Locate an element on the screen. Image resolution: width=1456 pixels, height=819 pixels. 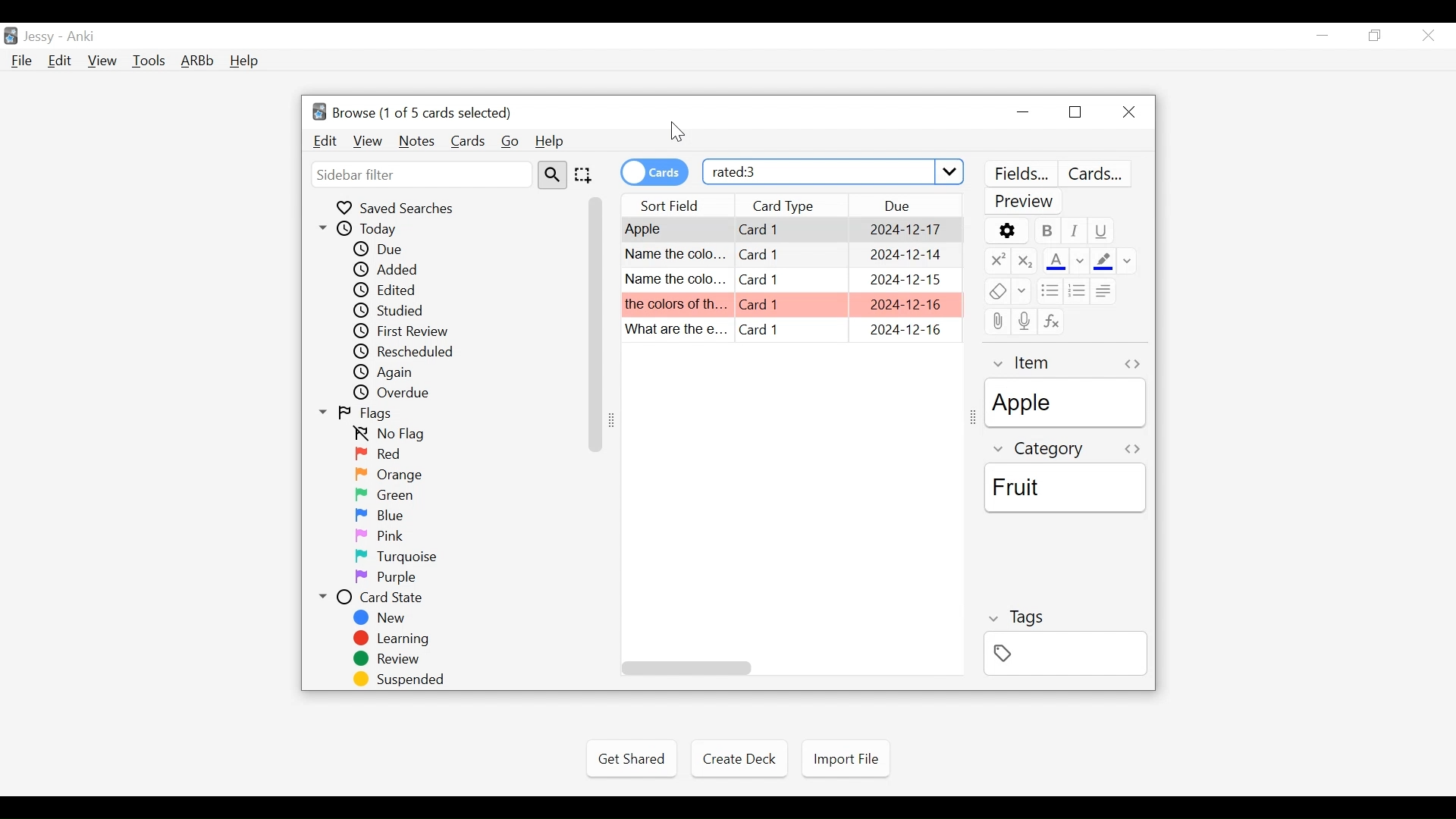
File is located at coordinates (25, 62).